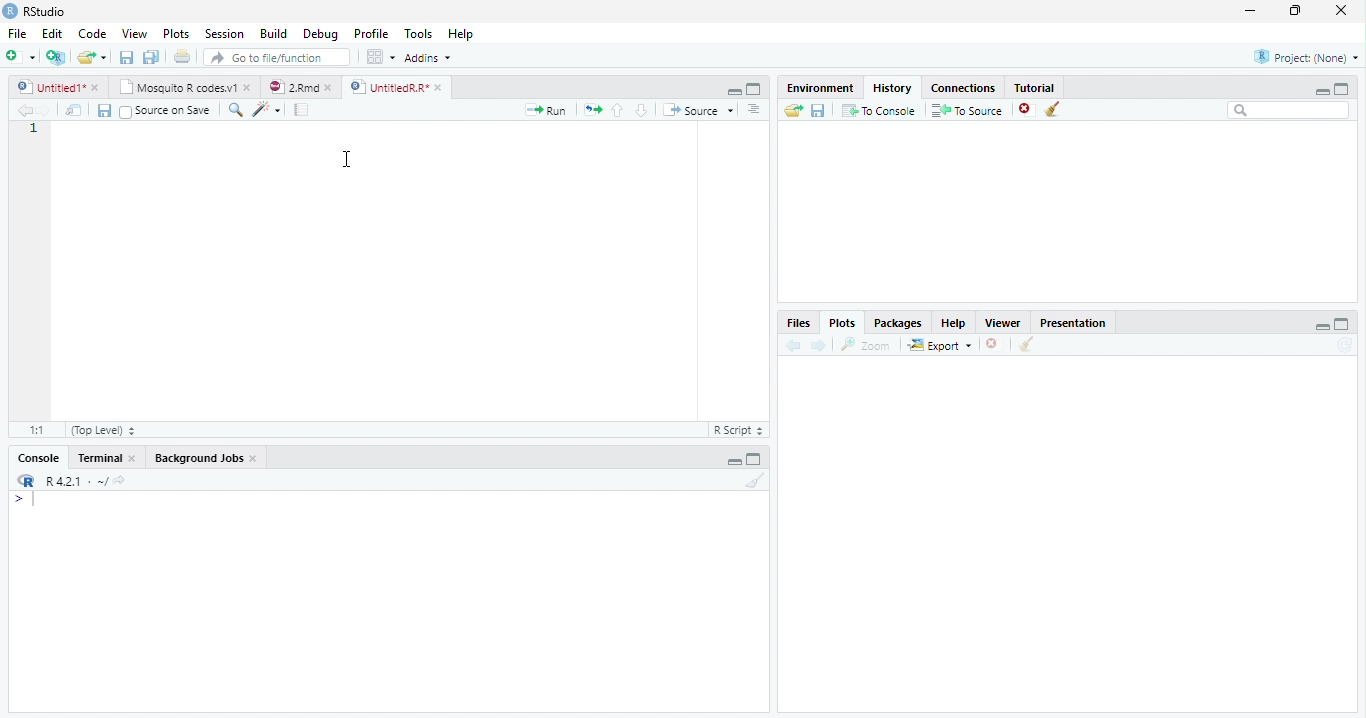 The height and width of the screenshot is (718, 1366). I want to click on Open Folder, so click(793, 111).